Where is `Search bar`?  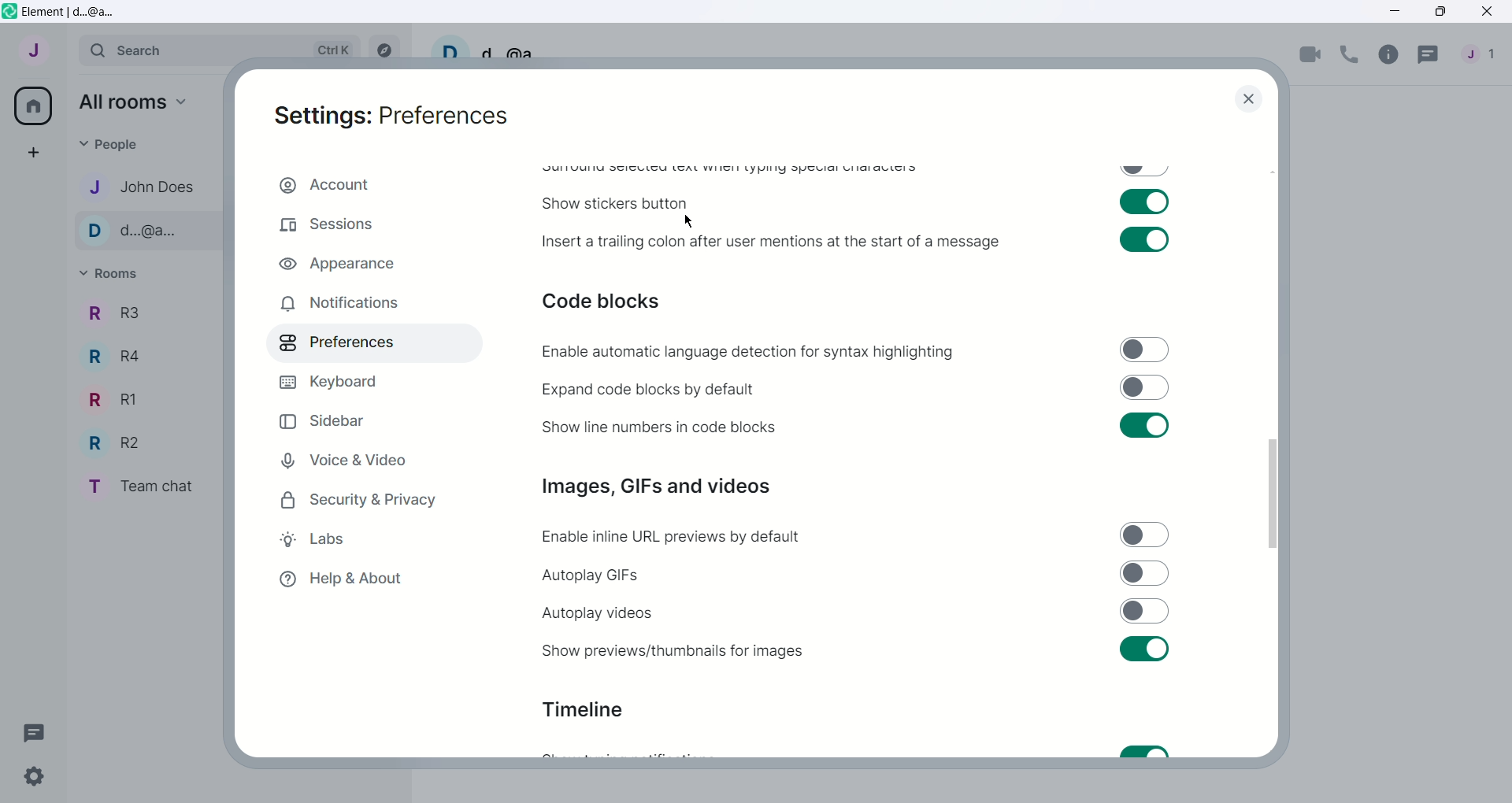
Search bar is located at coordinates (219, 50).